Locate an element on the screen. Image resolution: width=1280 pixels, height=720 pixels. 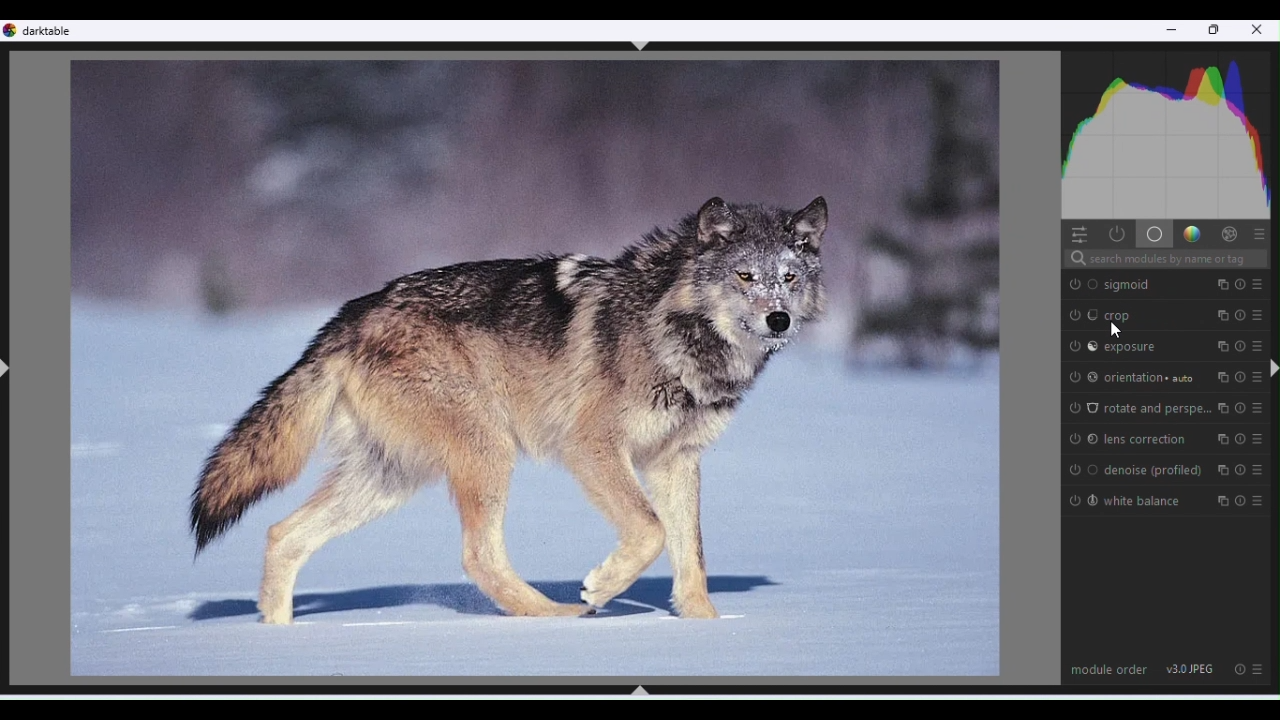
Sigmoid is located at coordinates (1168, 283).